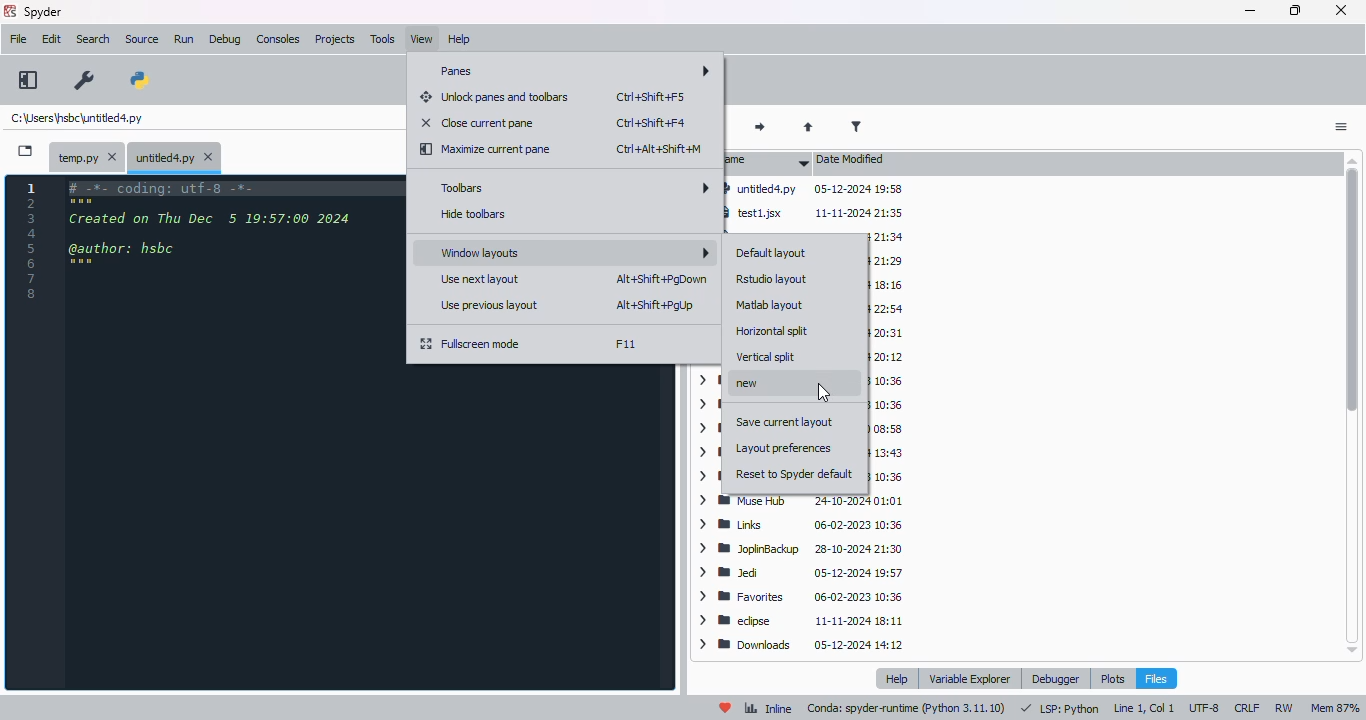  I want to click on minimize, so click(1250, 11).